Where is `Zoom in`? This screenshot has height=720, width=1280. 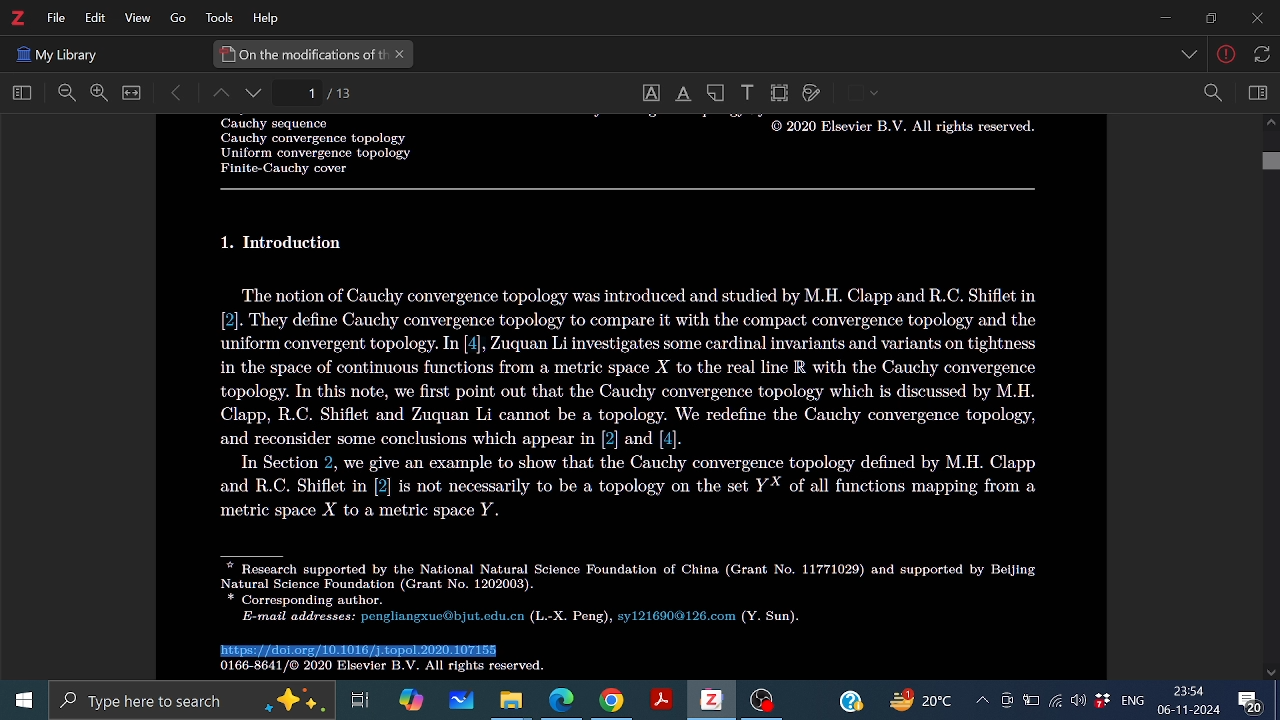
Zoom in is located at coordinates (98, 93).